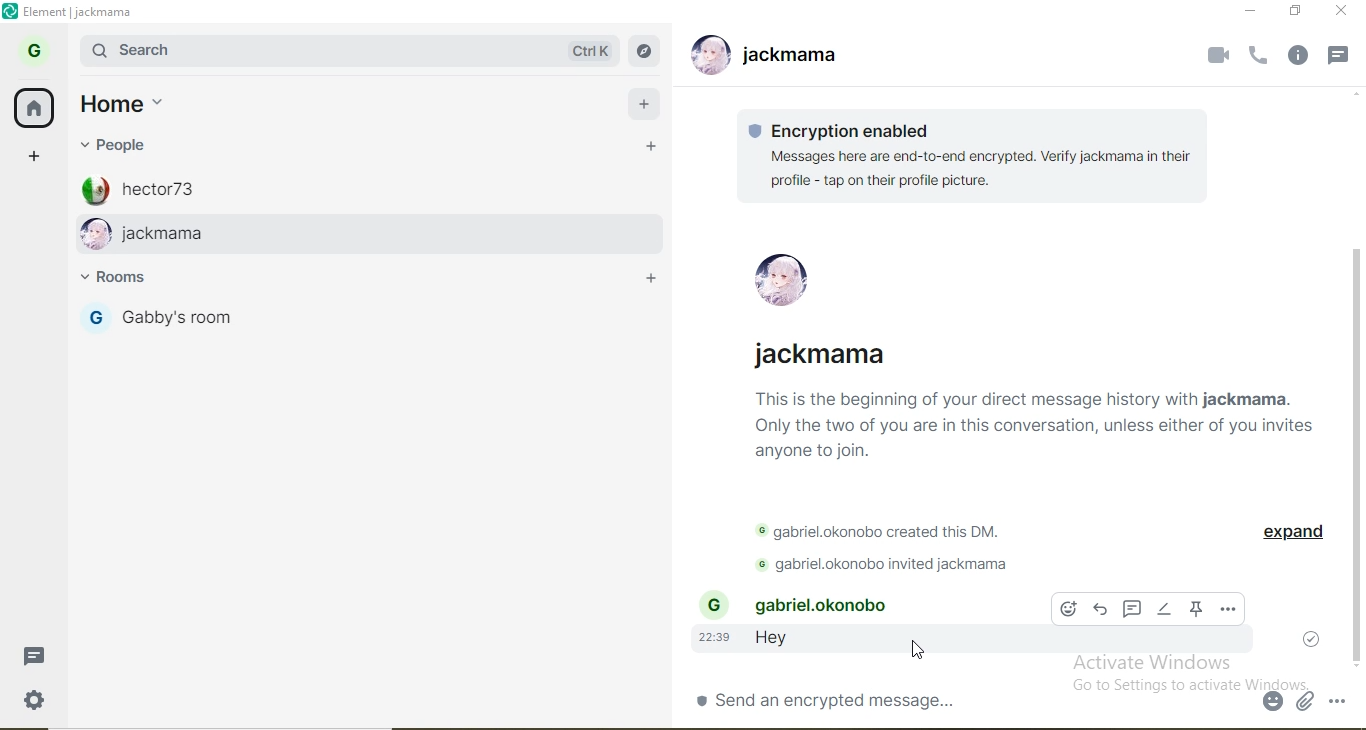 The image size is (1366, 730). I want to click on profile, so click(31, 55).